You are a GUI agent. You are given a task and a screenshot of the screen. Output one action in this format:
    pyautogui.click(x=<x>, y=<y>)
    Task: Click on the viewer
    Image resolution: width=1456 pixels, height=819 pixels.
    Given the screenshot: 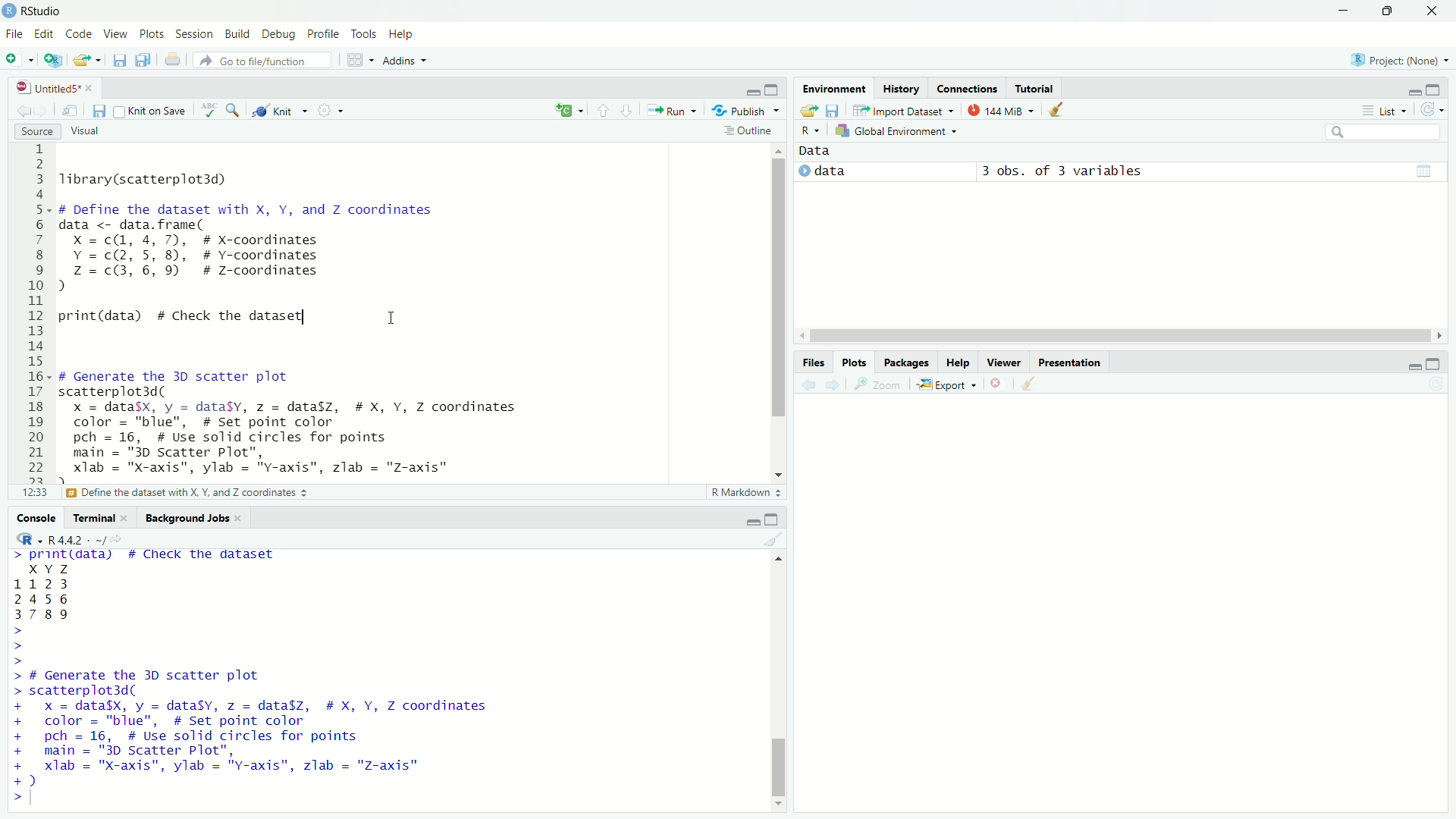 What is the action you would take?
    pyautogui.click(x=1003, y=362)
    